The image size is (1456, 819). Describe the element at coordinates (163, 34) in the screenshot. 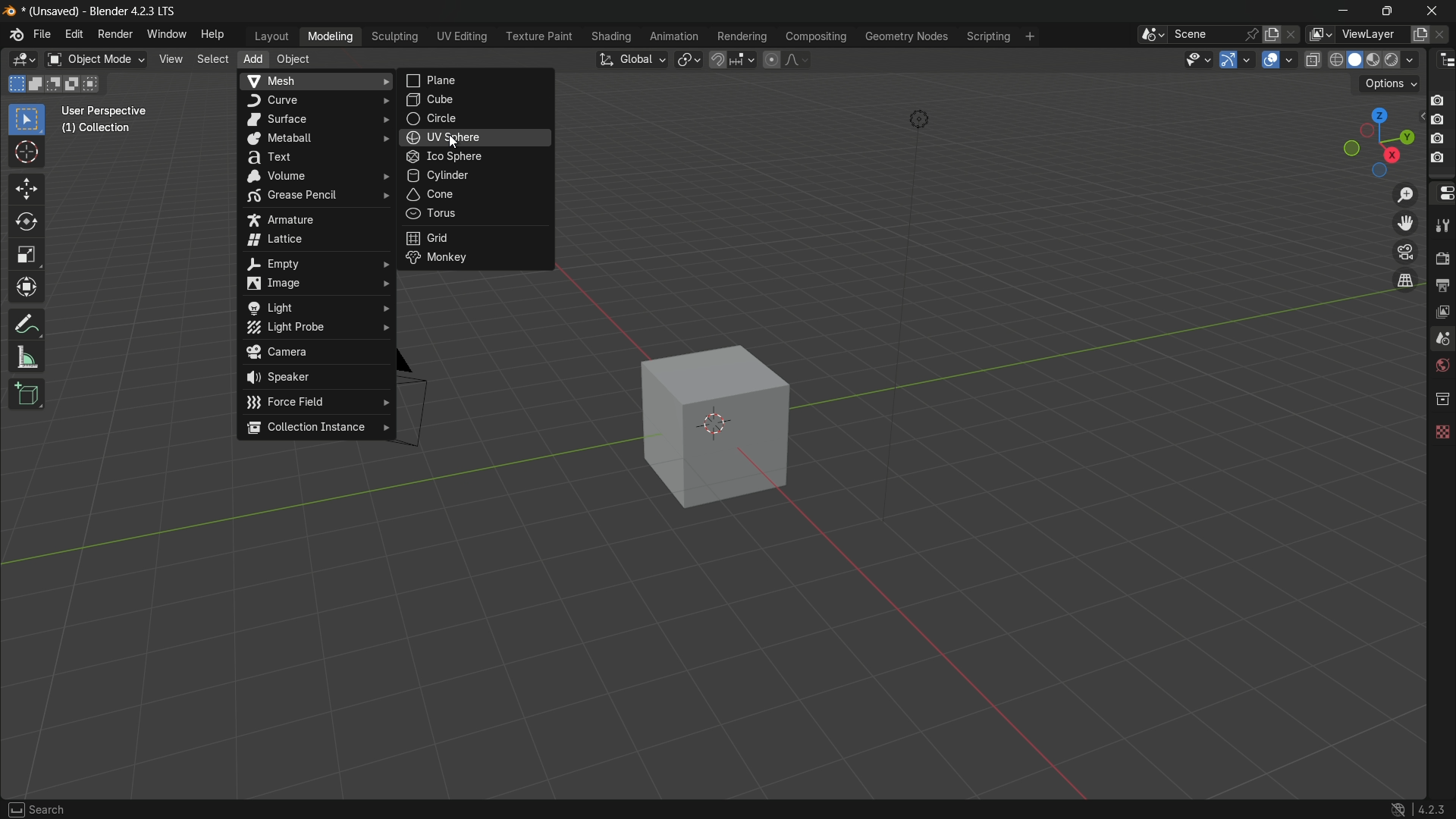

I see `window menu` at that location.